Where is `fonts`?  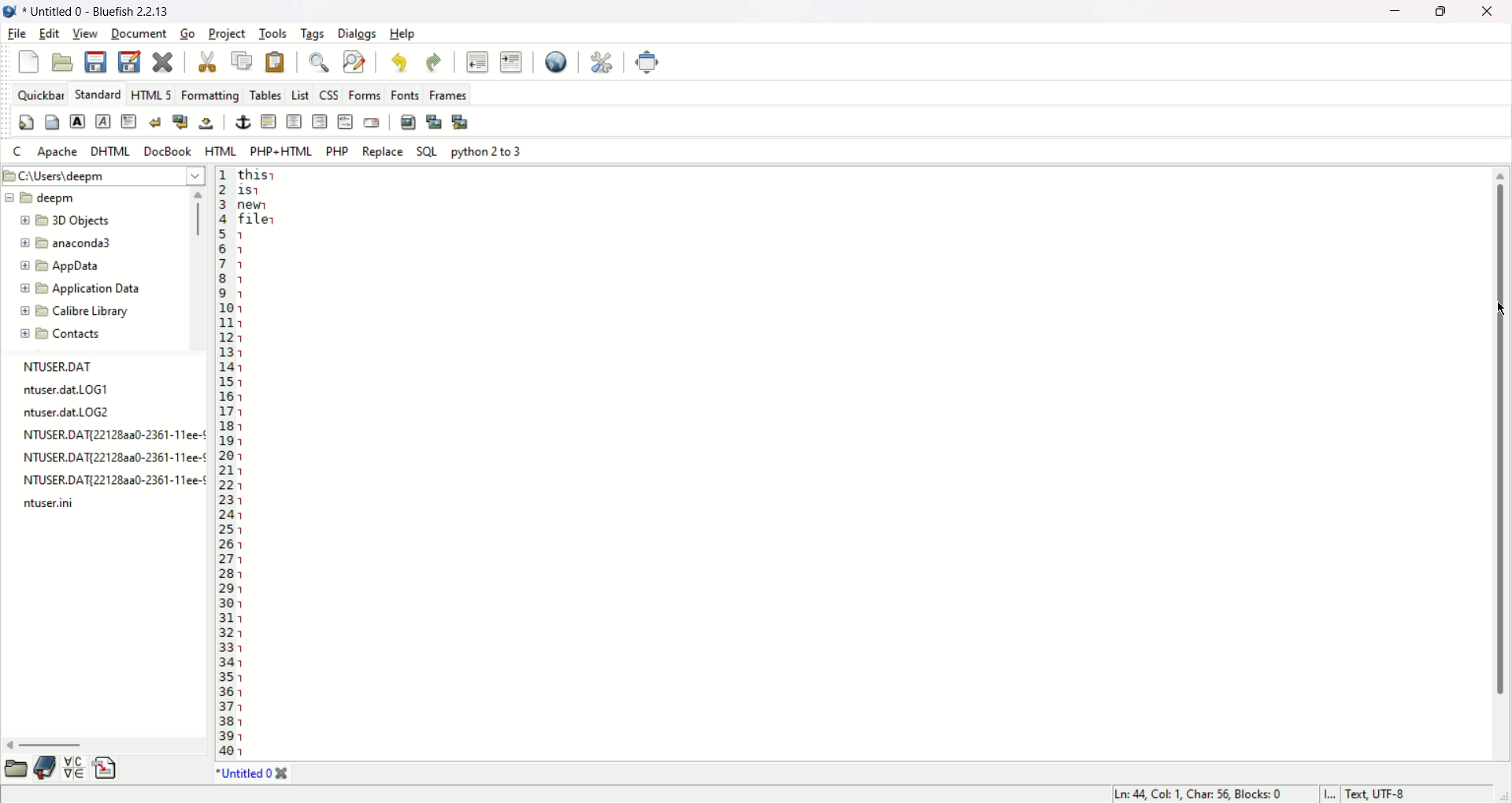 fonts is located at coordinates (405, 94).